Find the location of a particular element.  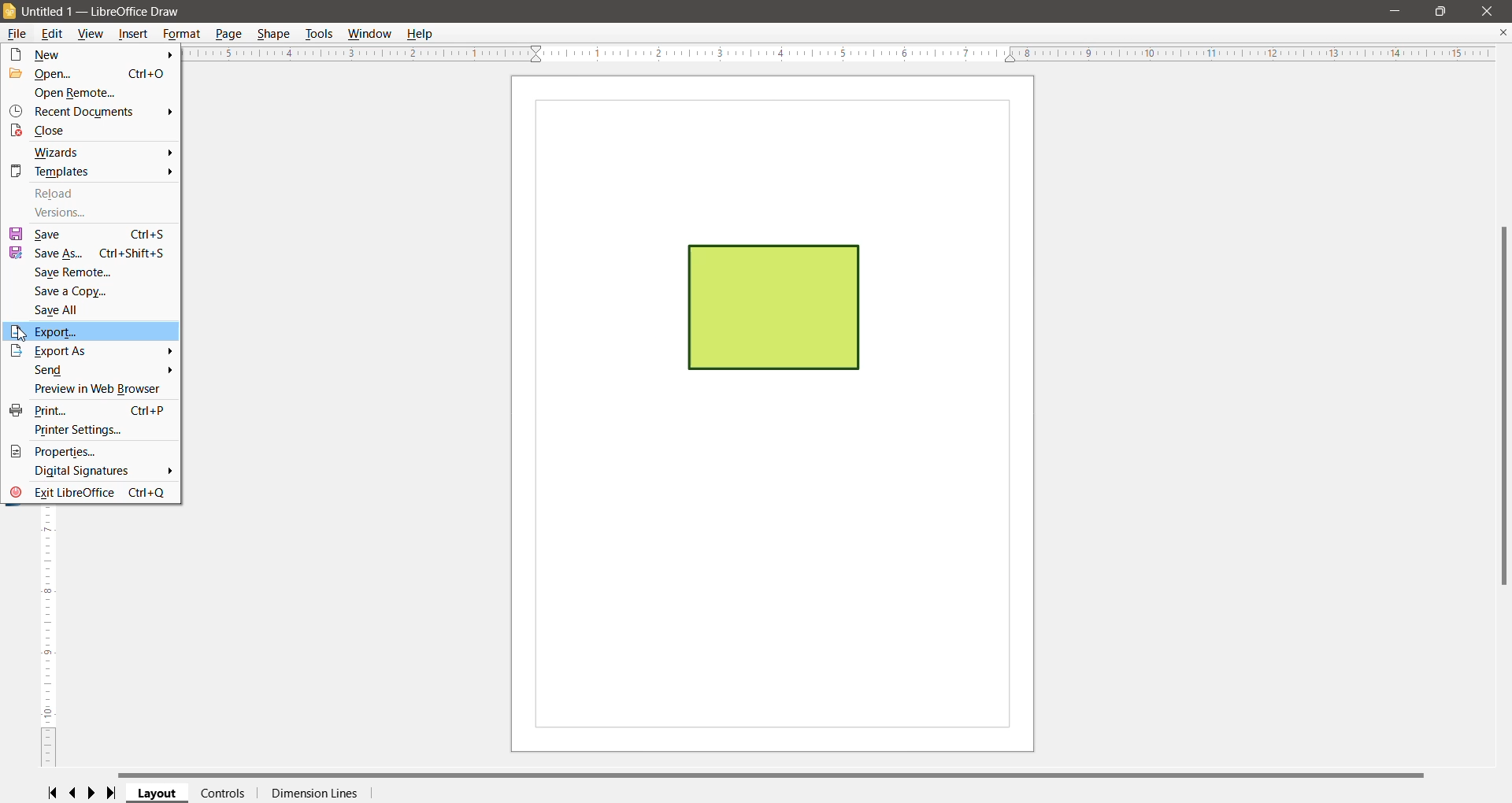

Export As is located at coordinates (72, 352).